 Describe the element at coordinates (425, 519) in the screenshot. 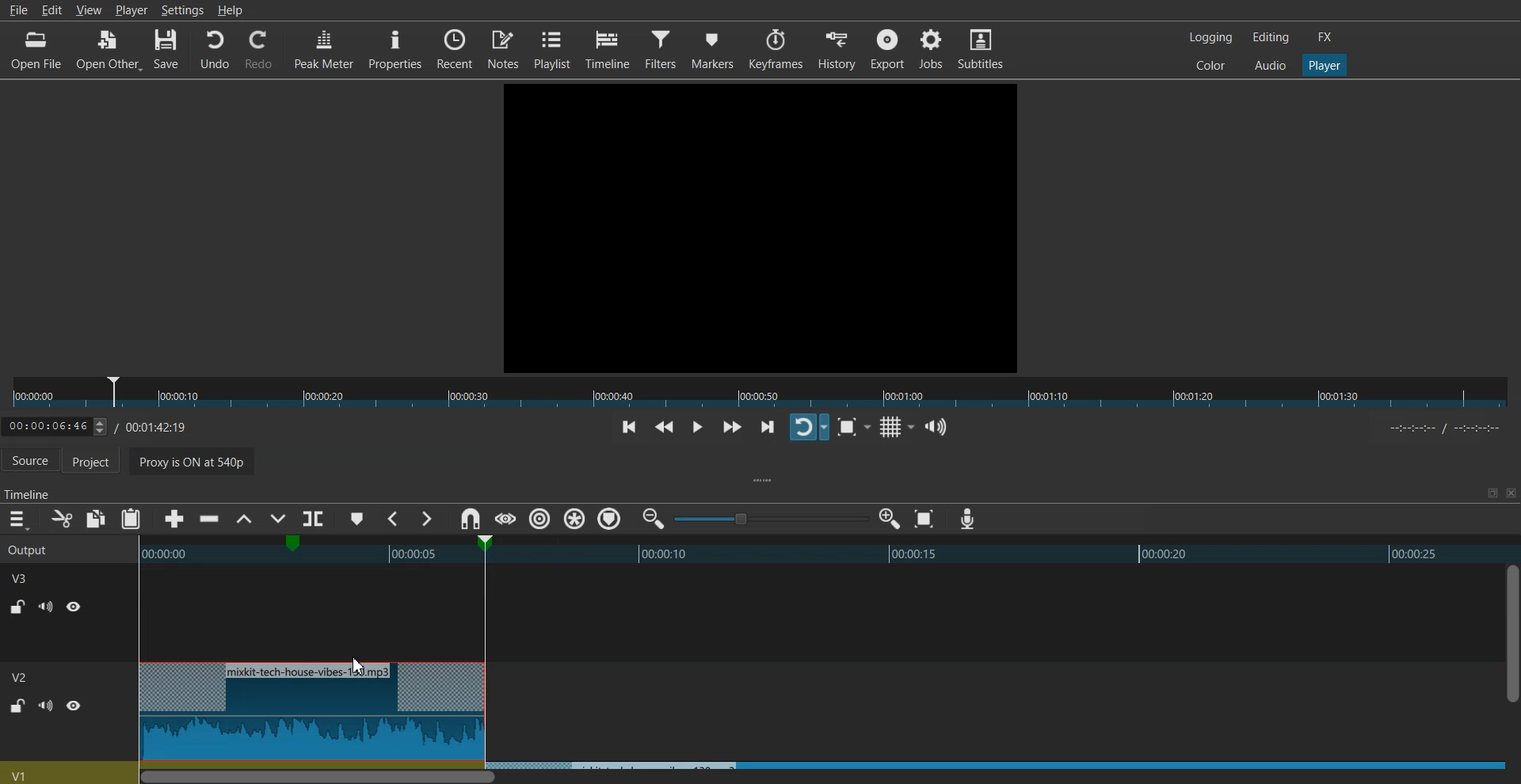

I see `Next Marker` at that location.